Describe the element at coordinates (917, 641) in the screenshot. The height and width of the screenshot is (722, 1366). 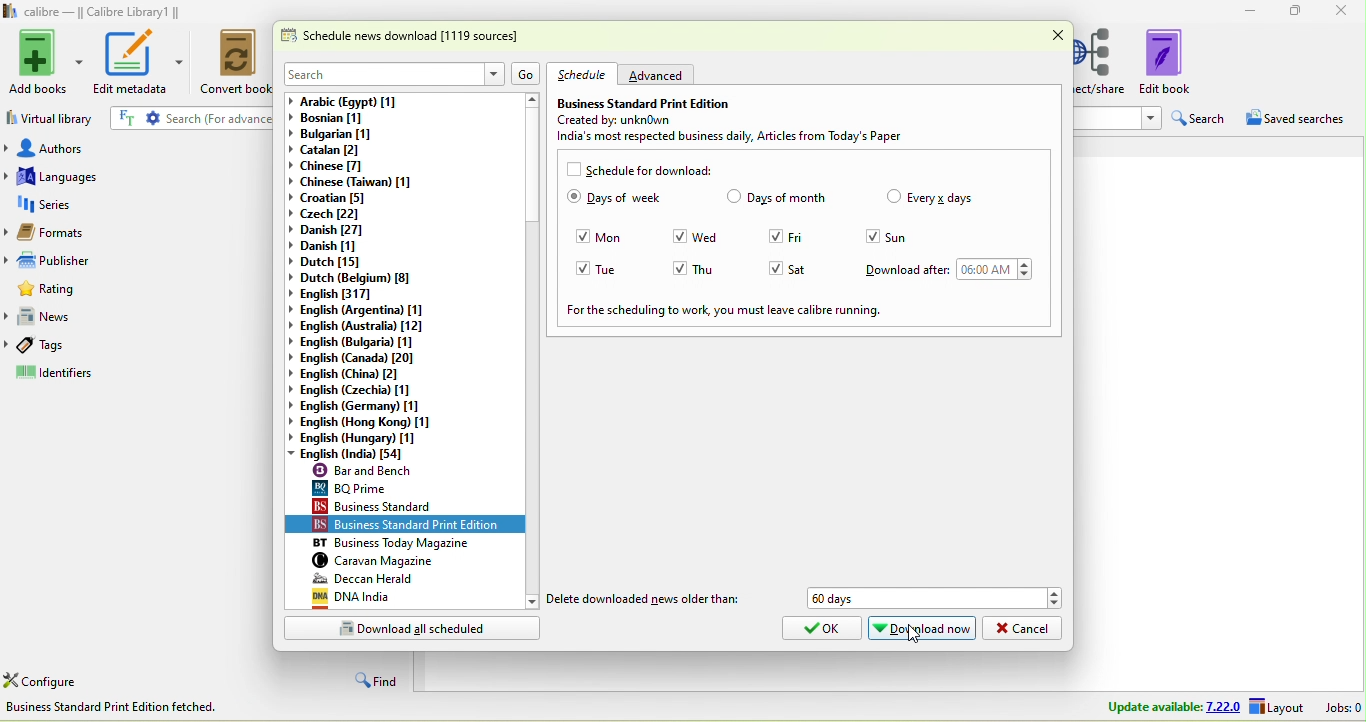
I see `cursor ` at that location.